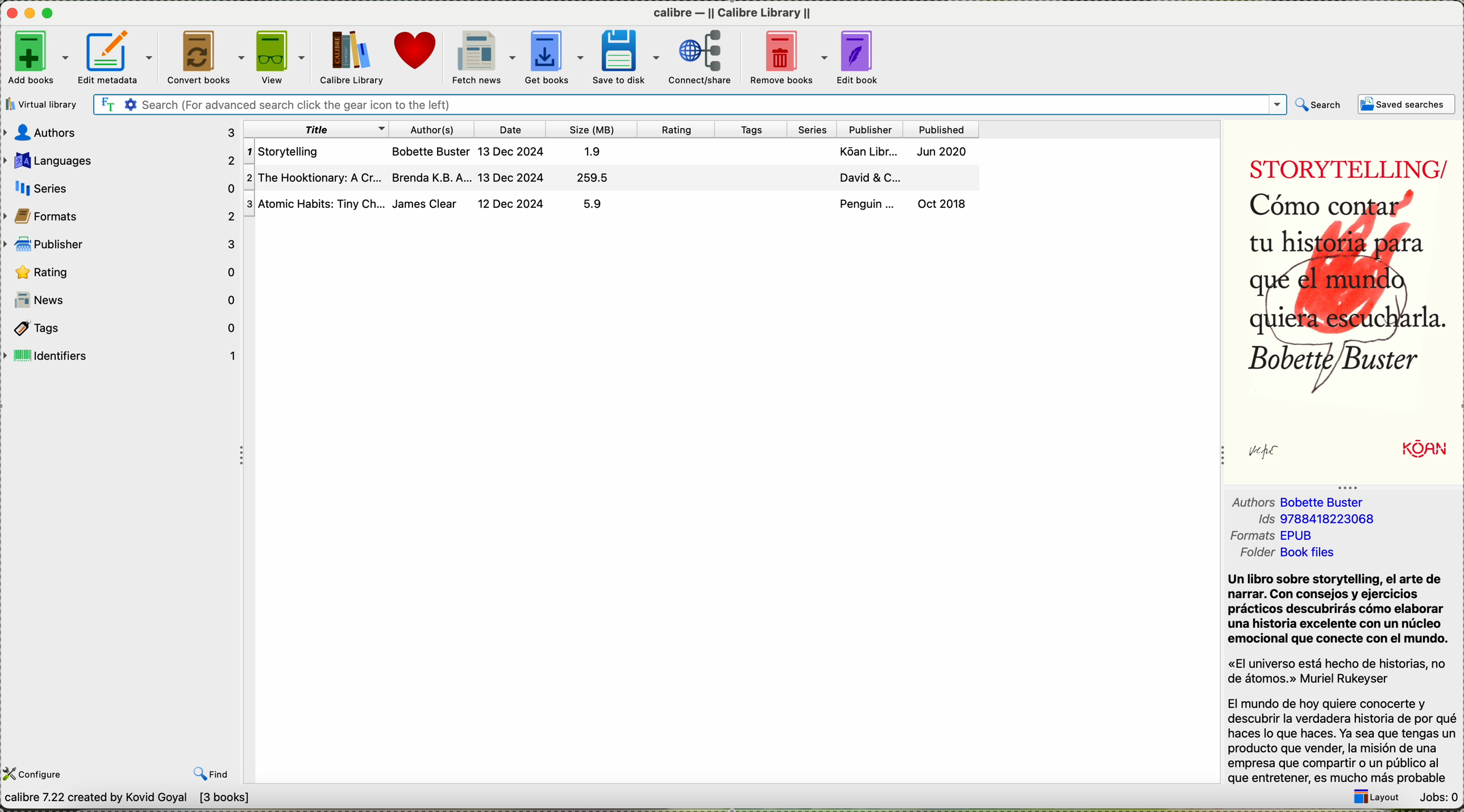 The width and height of the screenshot is (1464, 812). I want to click on authors, so click(1249, 503).